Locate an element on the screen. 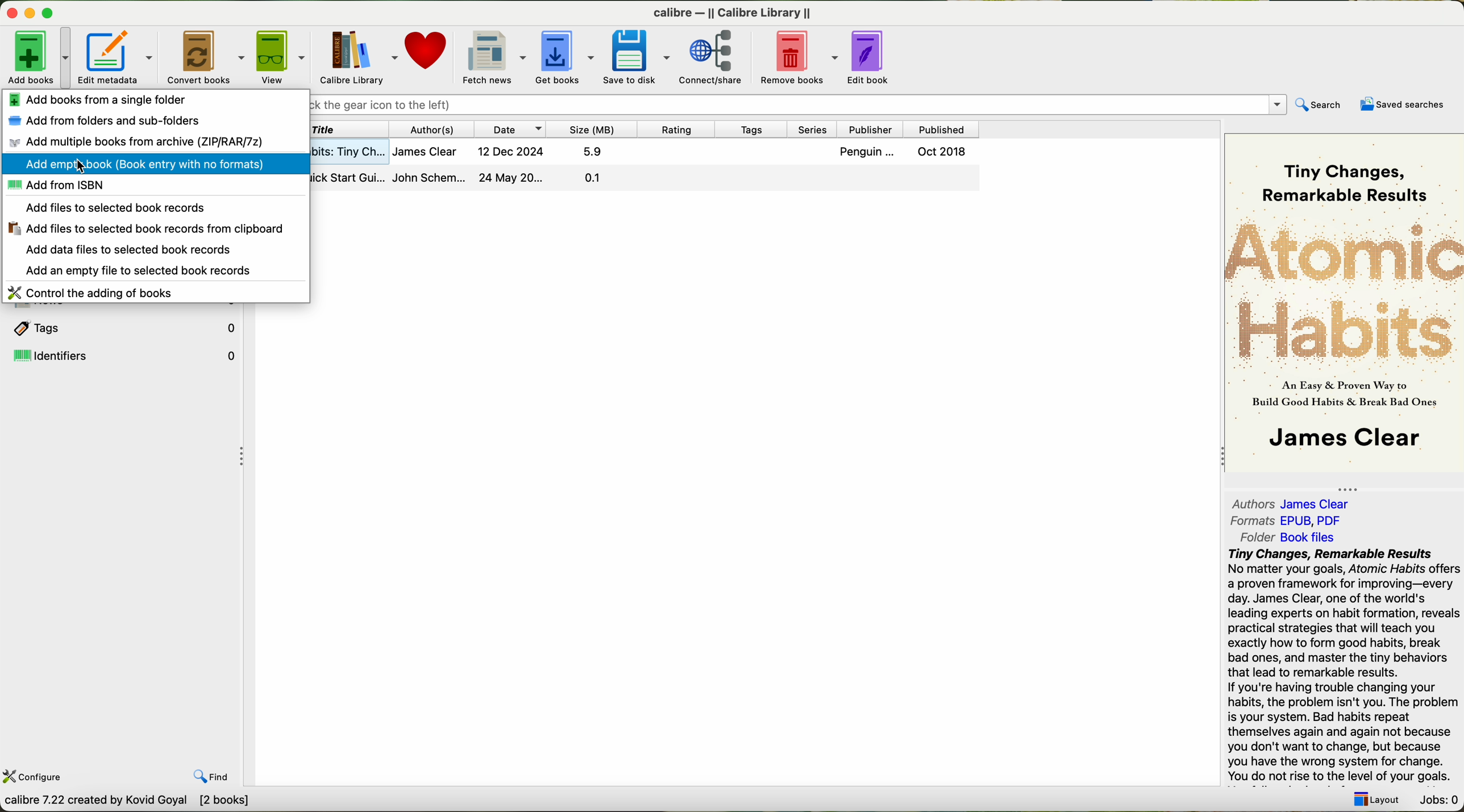  remove books is located at coordinates (796, 59).